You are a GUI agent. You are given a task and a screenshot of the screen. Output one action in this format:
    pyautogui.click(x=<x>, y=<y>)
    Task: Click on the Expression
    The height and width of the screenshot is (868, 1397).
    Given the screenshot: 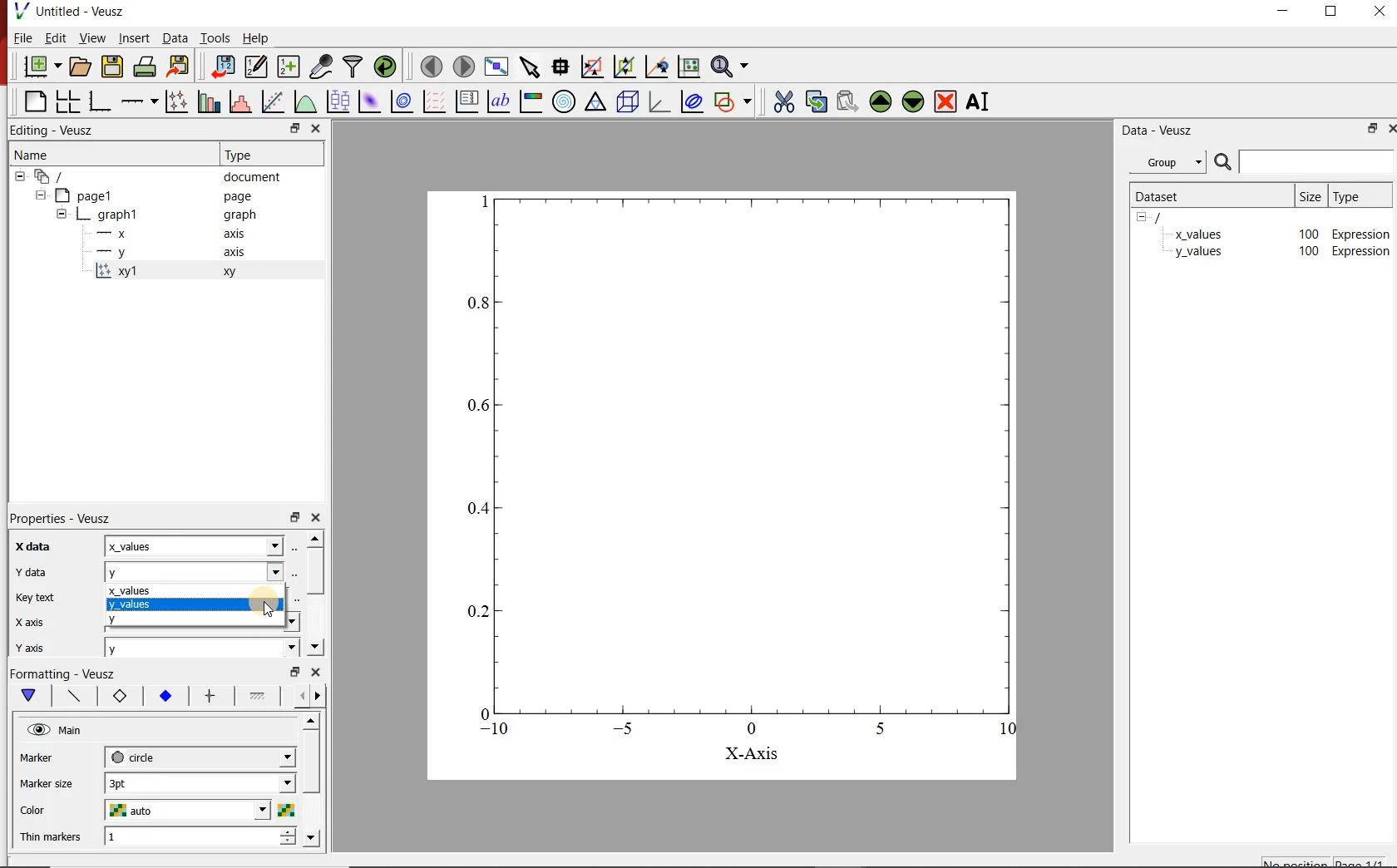 What is the action you would take?
    pyautogui.click(x=1362, y=232)
    